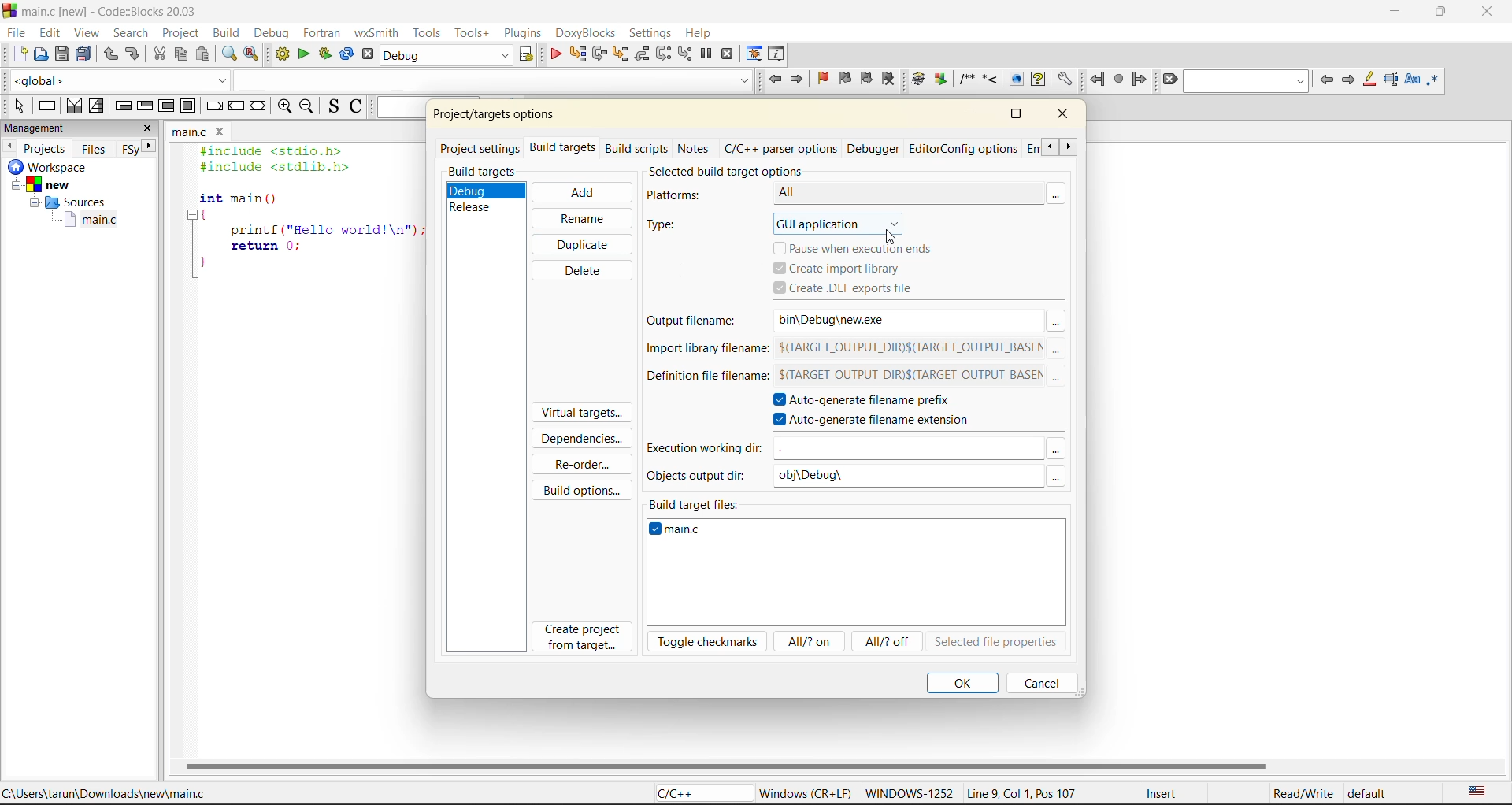 This screenshot has width=1512, height=805. What do you see at coordinates (1327, 81) in the screenshot?
I see `previous` at bounding box center [1327, 81].